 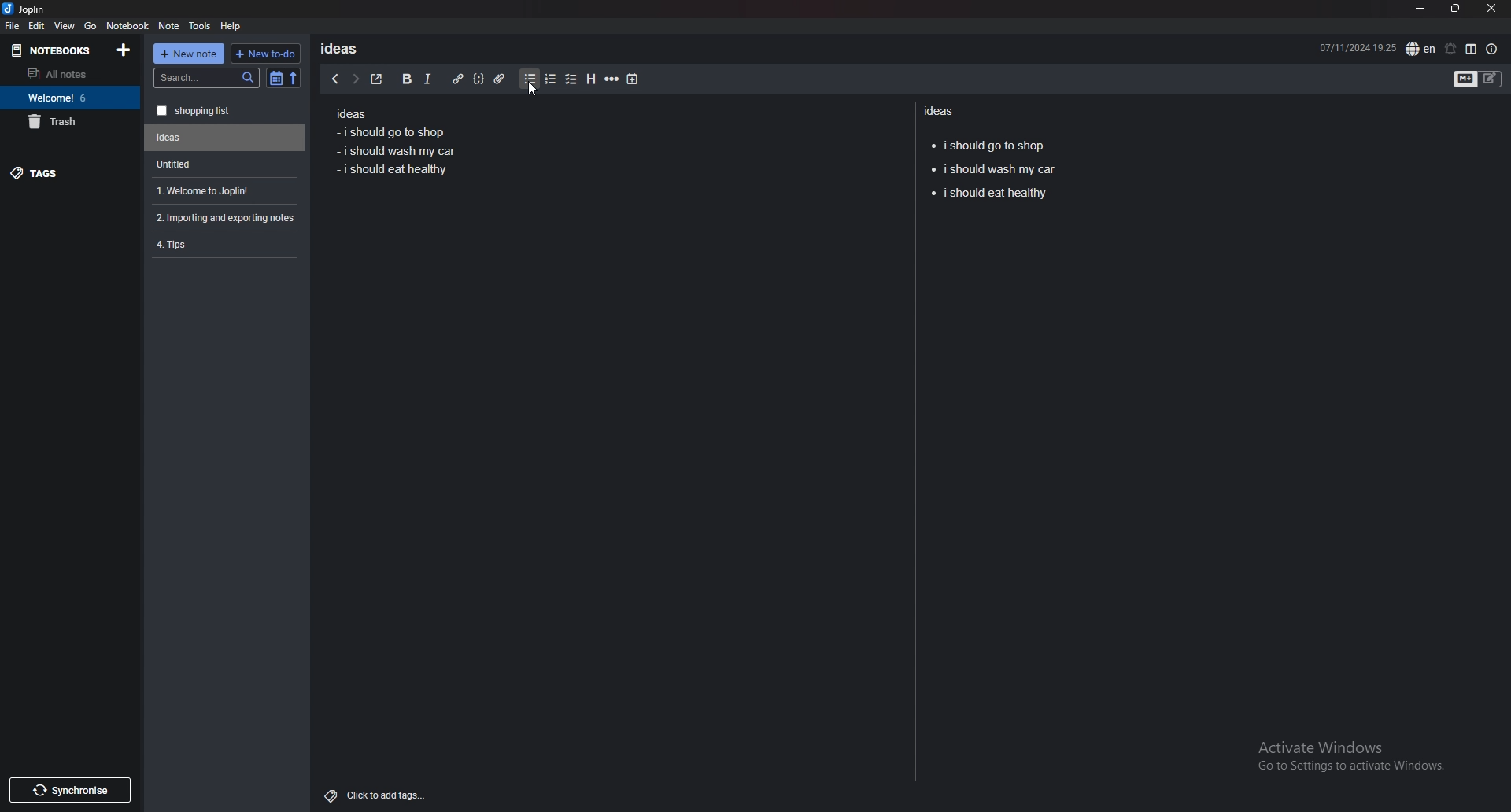 What do you see at coordinates (500, 79) in the screenshot?
I see `attachment` at bounding box center [500, 79].